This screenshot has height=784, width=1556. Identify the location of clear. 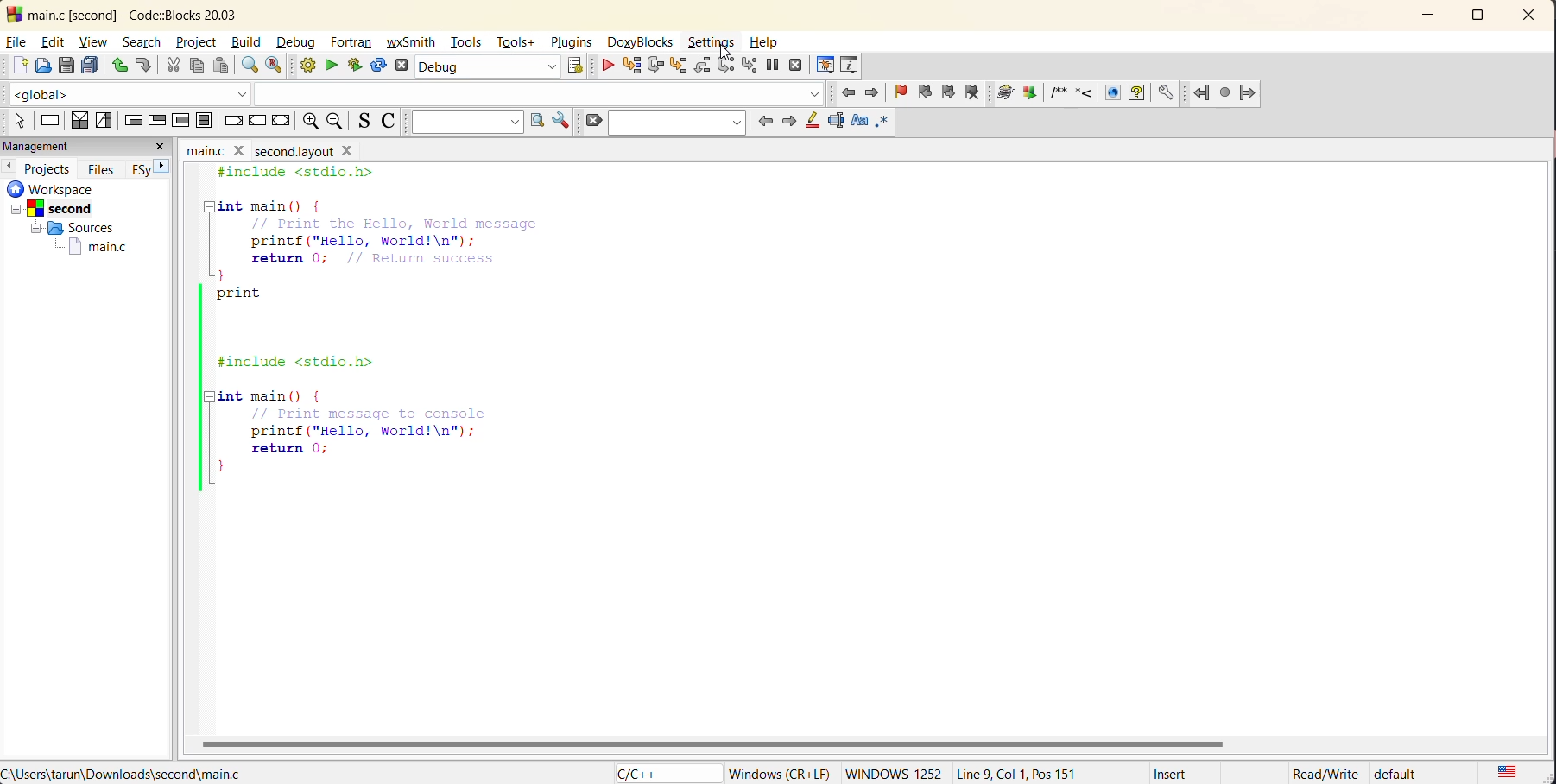
(594, 121).